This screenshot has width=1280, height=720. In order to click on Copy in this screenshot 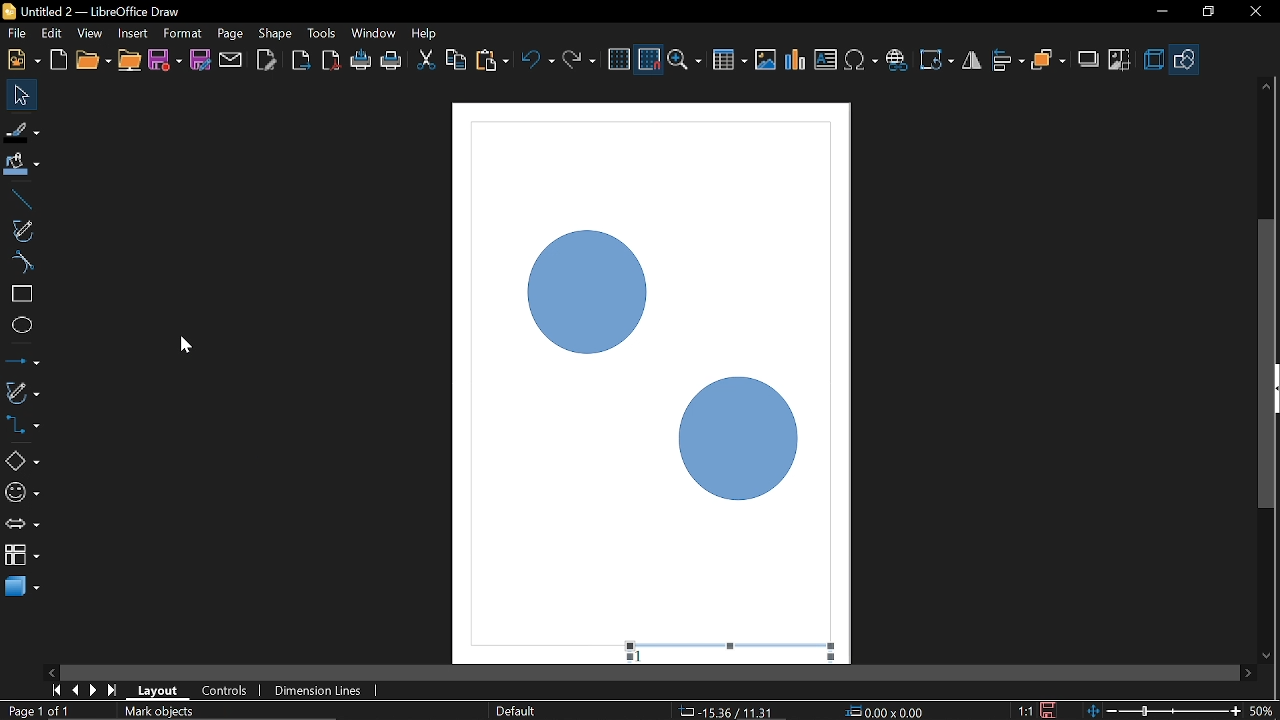, I will do `click(456, 63)`.